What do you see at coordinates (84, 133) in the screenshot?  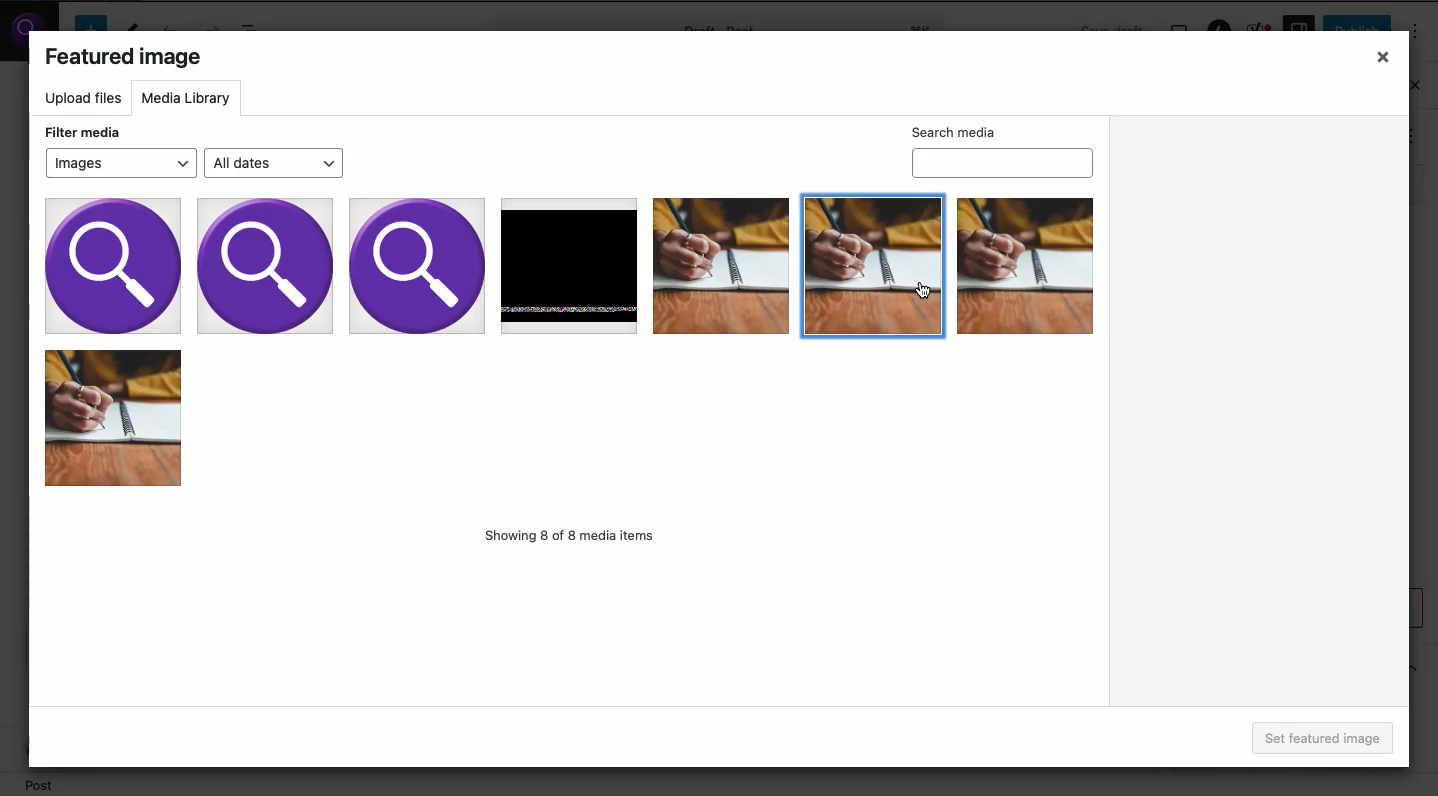 I see `Filter media` at bounding box center [84, 133].